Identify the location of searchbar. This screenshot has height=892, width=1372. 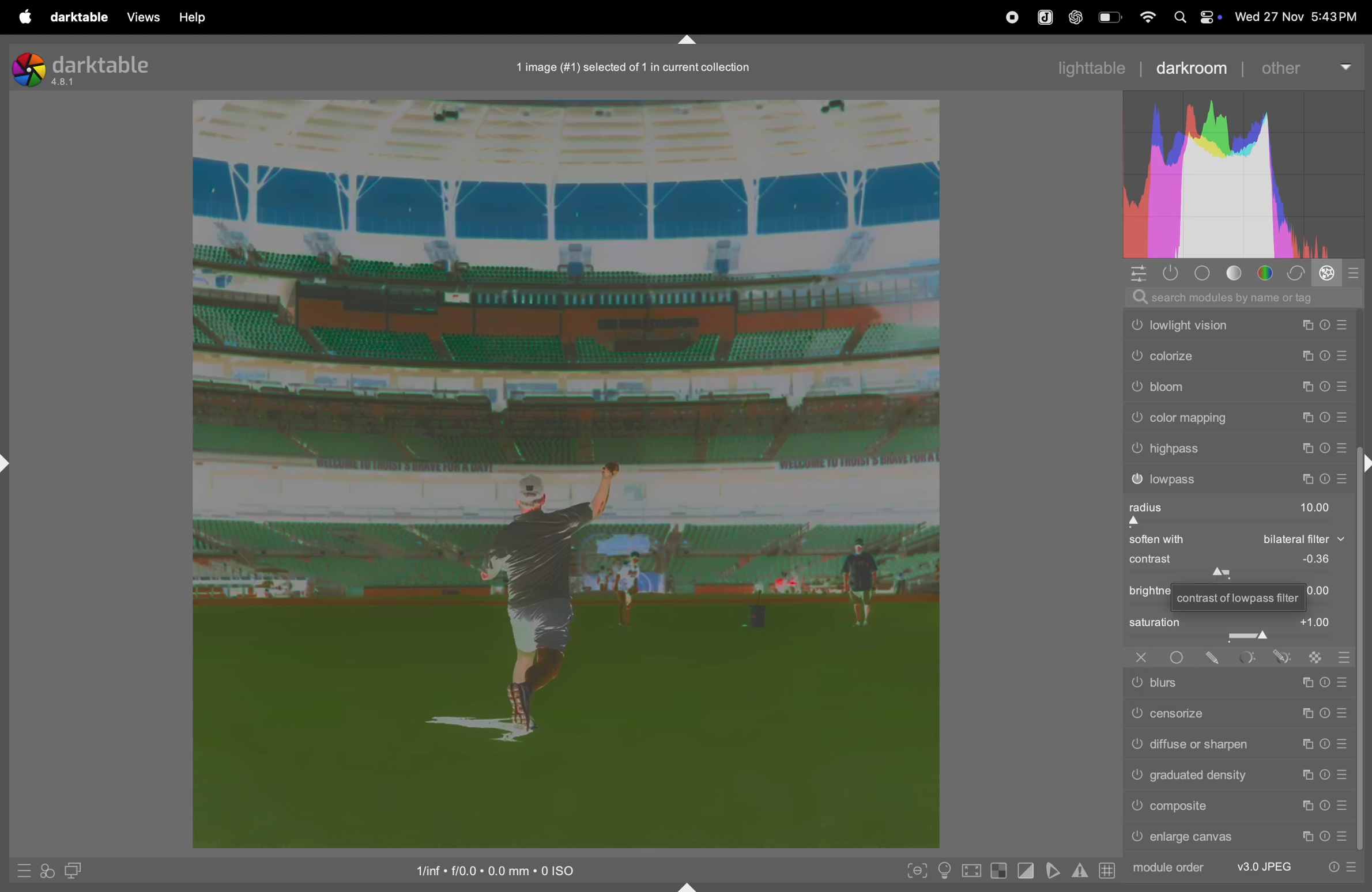
(1242, 296).